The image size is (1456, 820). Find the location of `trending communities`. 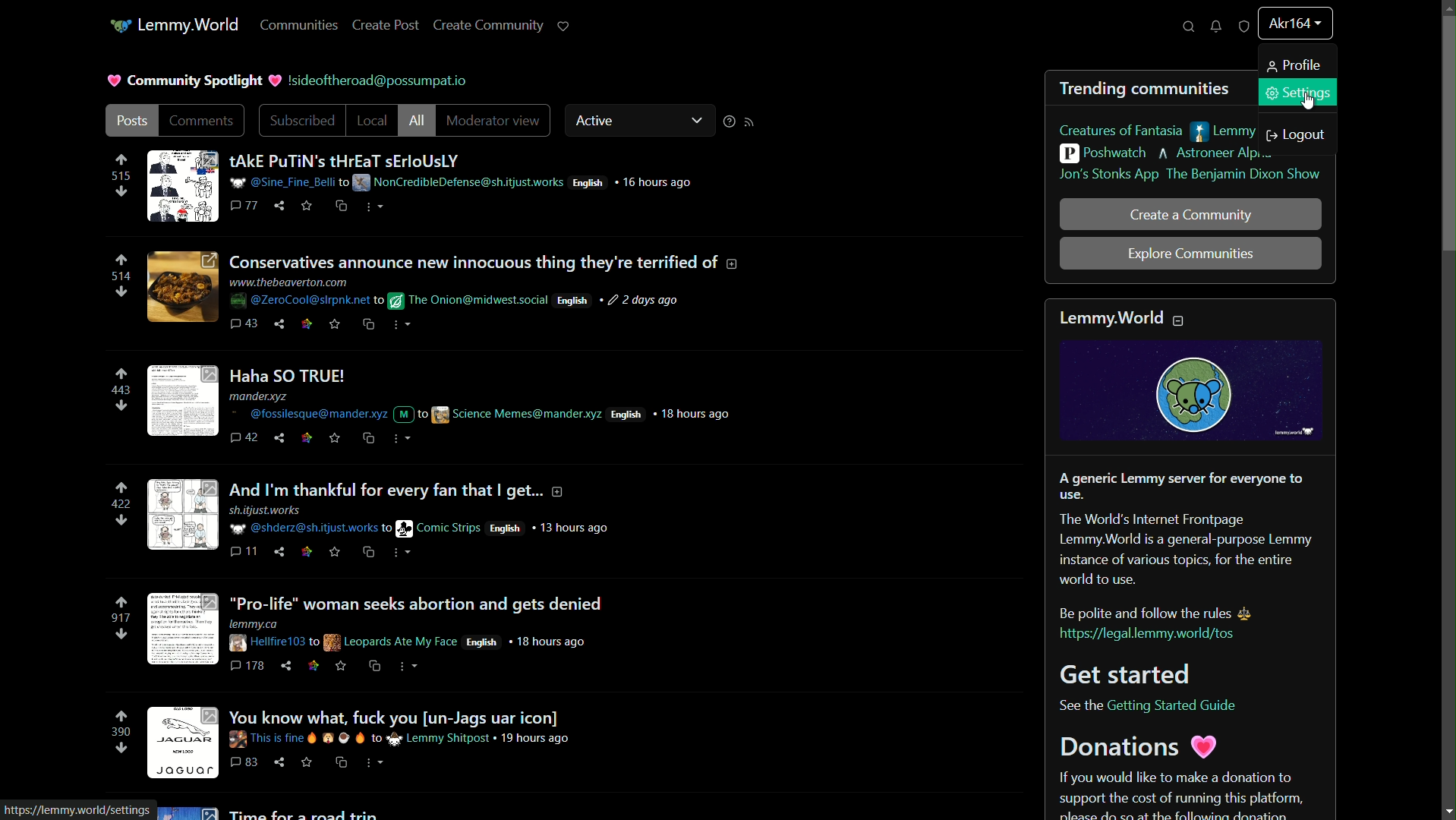

trending communities is located at coordinates (1146, 90).